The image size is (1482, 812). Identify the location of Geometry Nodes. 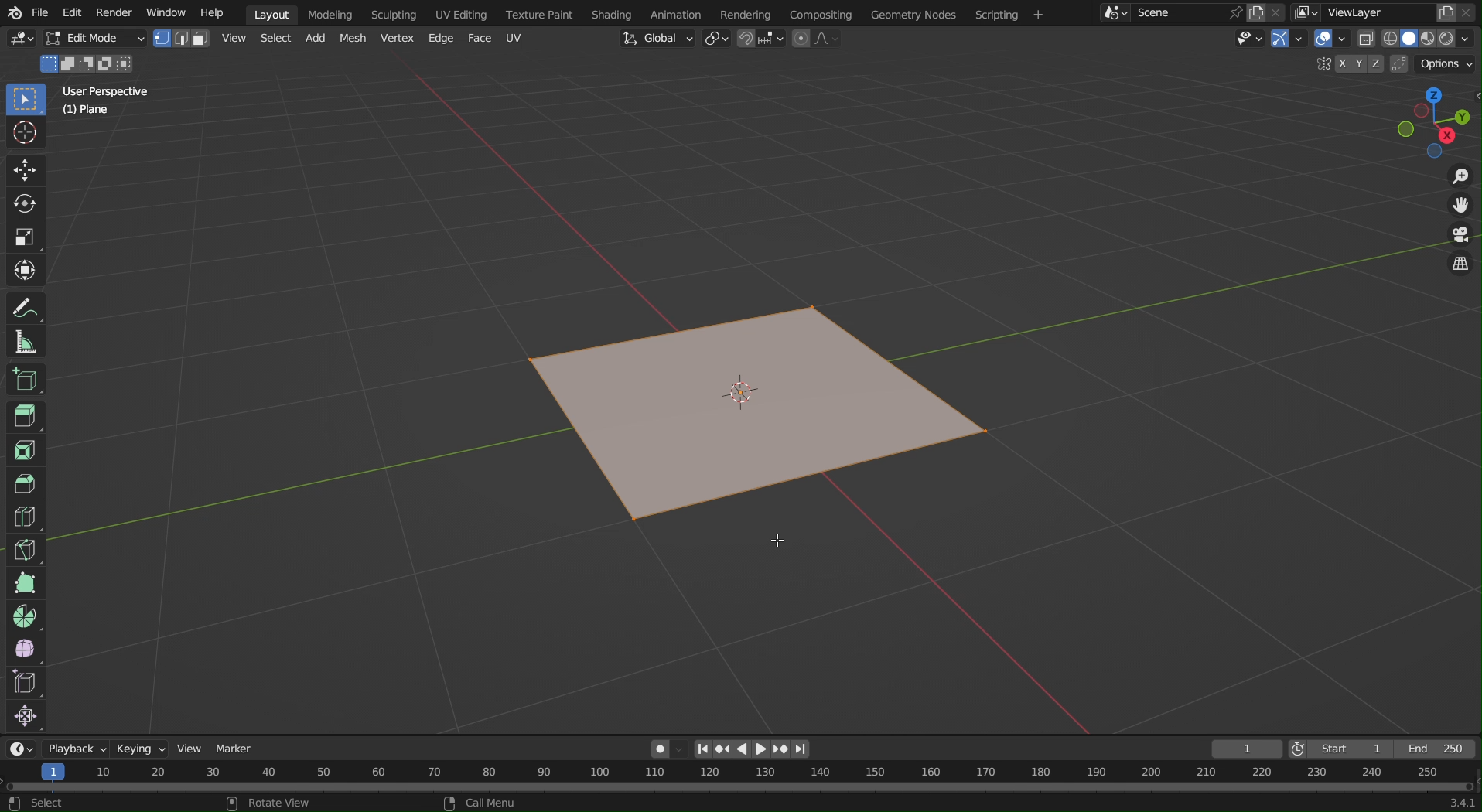
(912, 13).